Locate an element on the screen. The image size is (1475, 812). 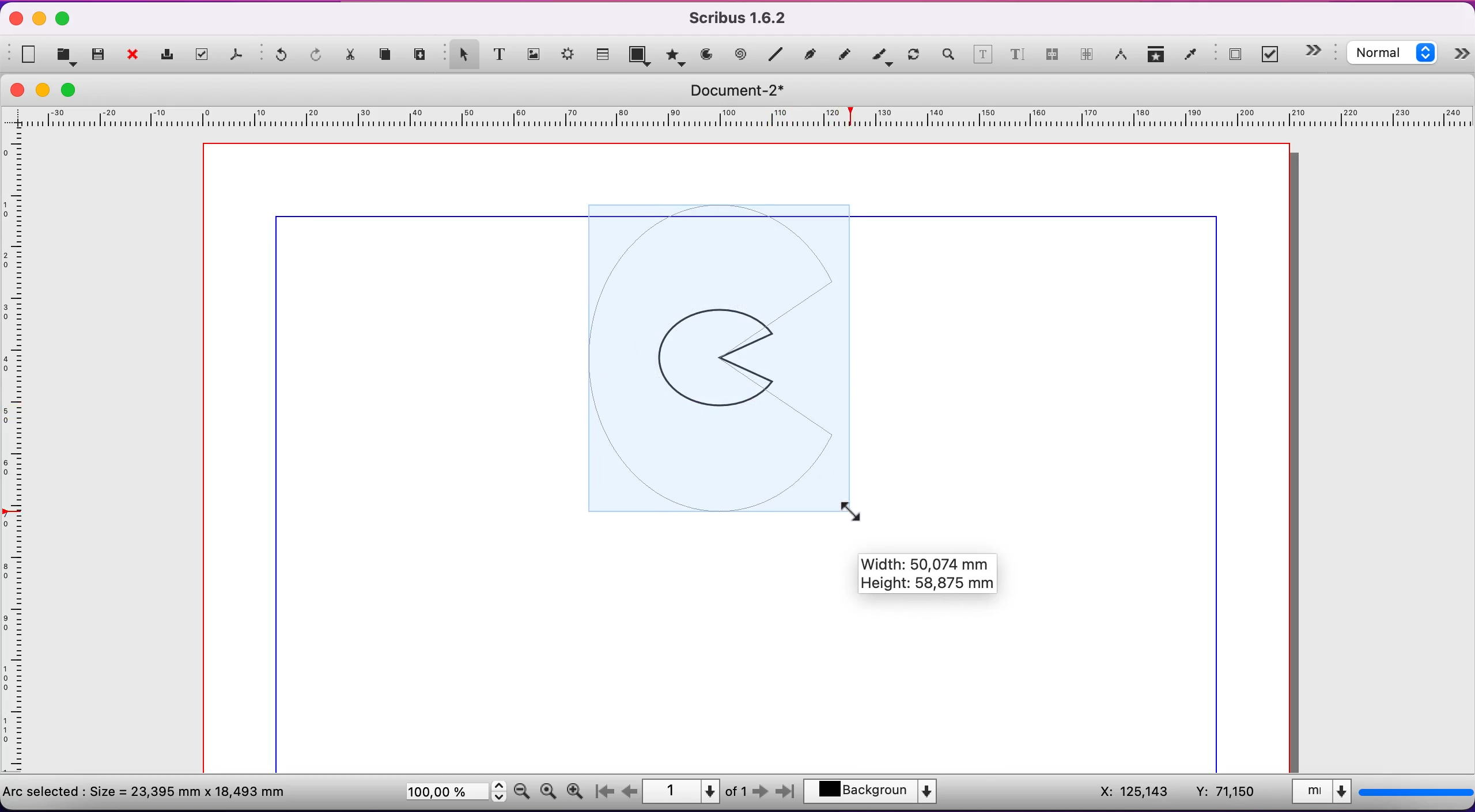
redo is located at coordinates (317, 56).